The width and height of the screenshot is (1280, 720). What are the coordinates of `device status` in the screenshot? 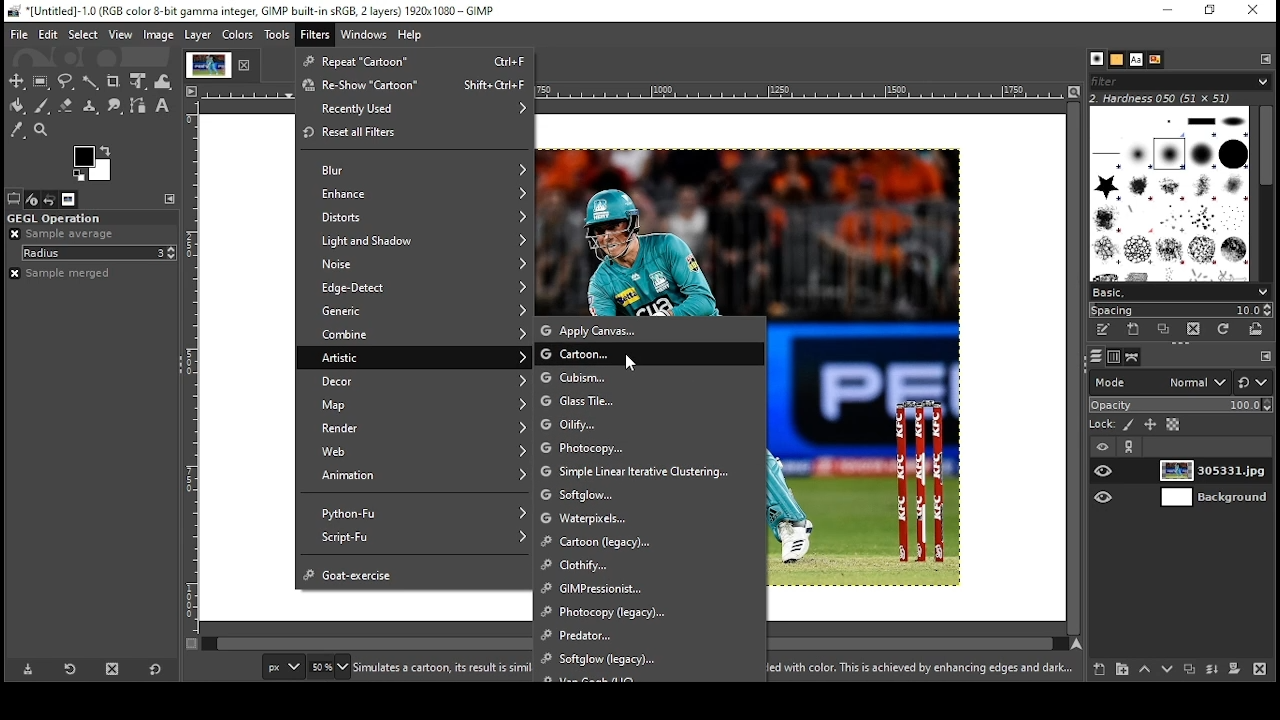 It's located at (32, 199).